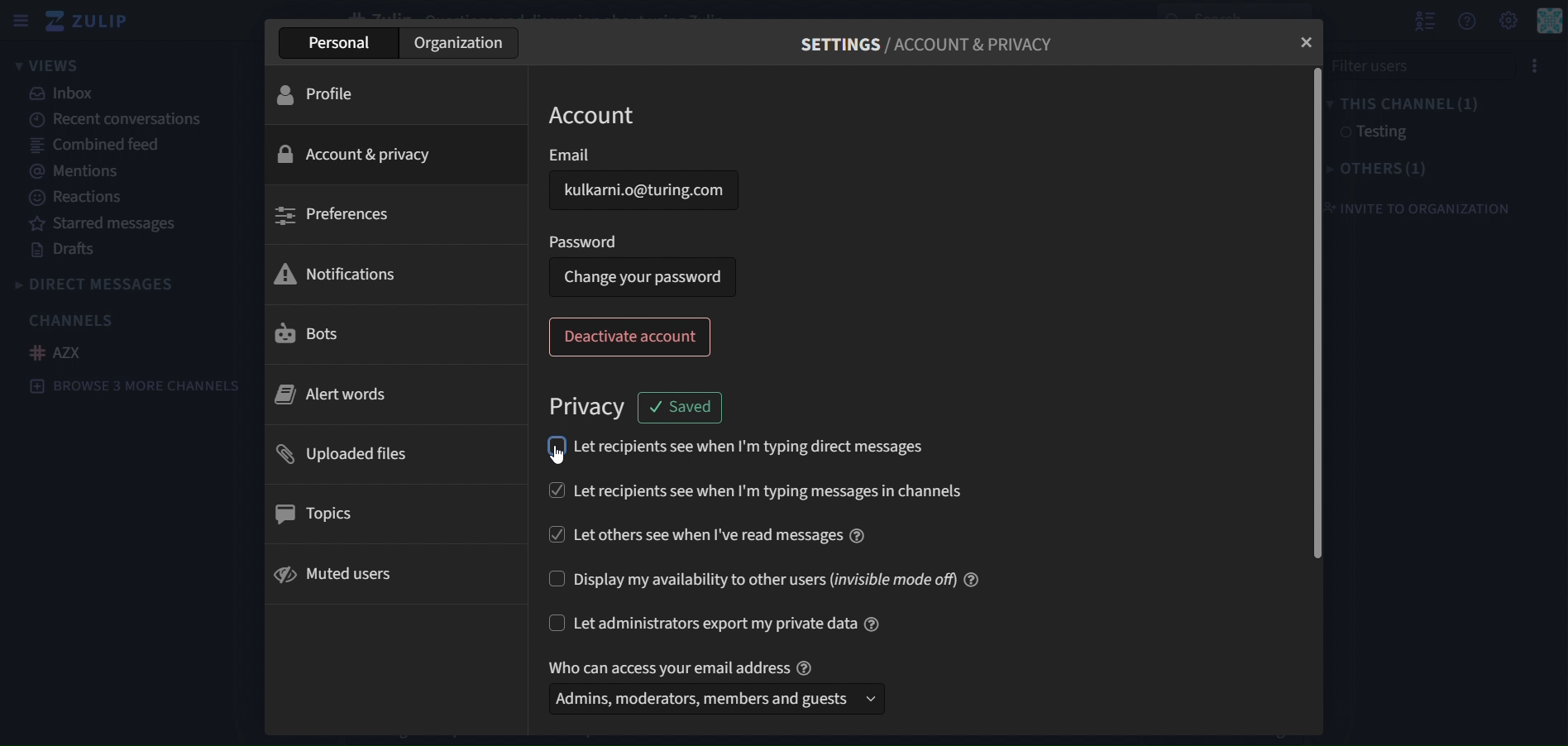 This screenshot has width=1568, height=746. Describe the element at coordinates (339, 42) in the screenshot. I see `personal` at that location.